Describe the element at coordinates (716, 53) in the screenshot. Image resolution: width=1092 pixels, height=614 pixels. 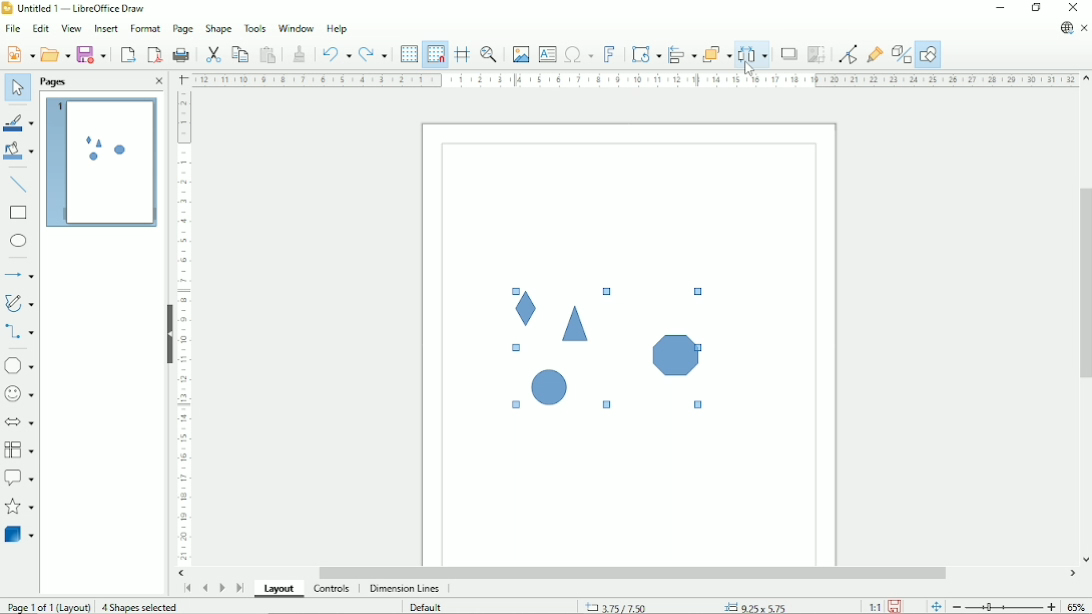
I see `Arrange` at that location.